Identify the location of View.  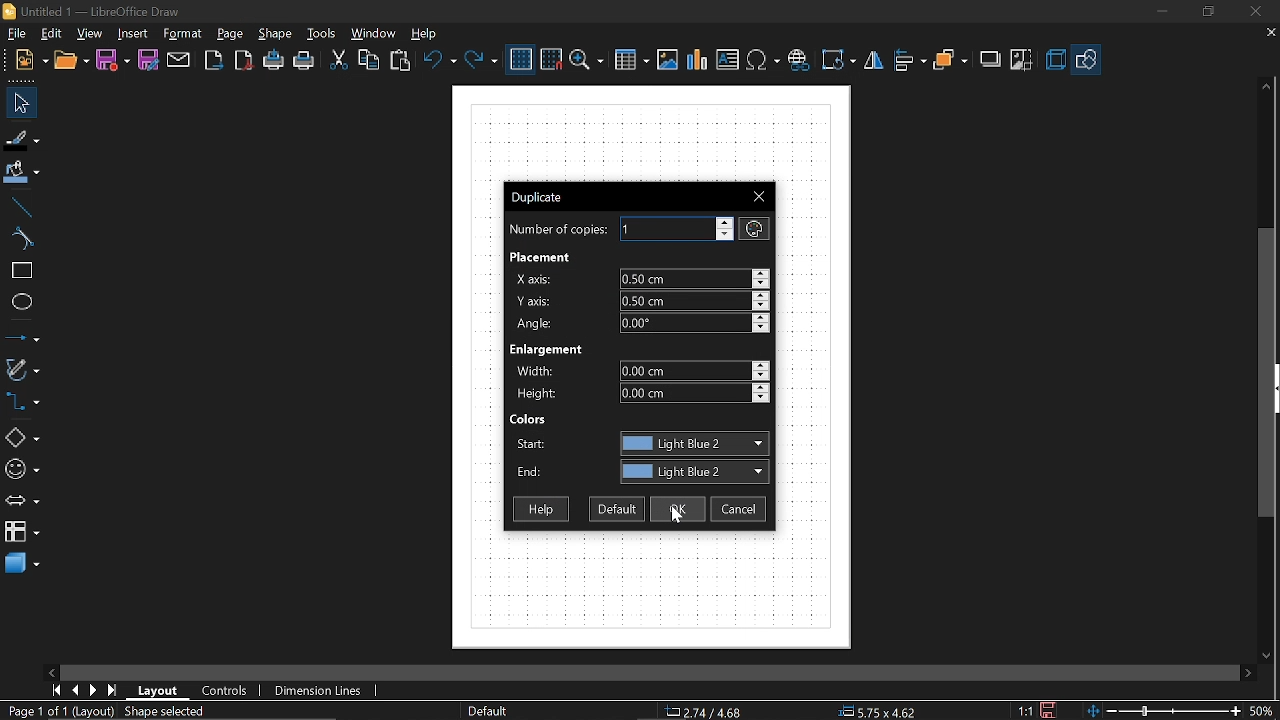
(90, 33).